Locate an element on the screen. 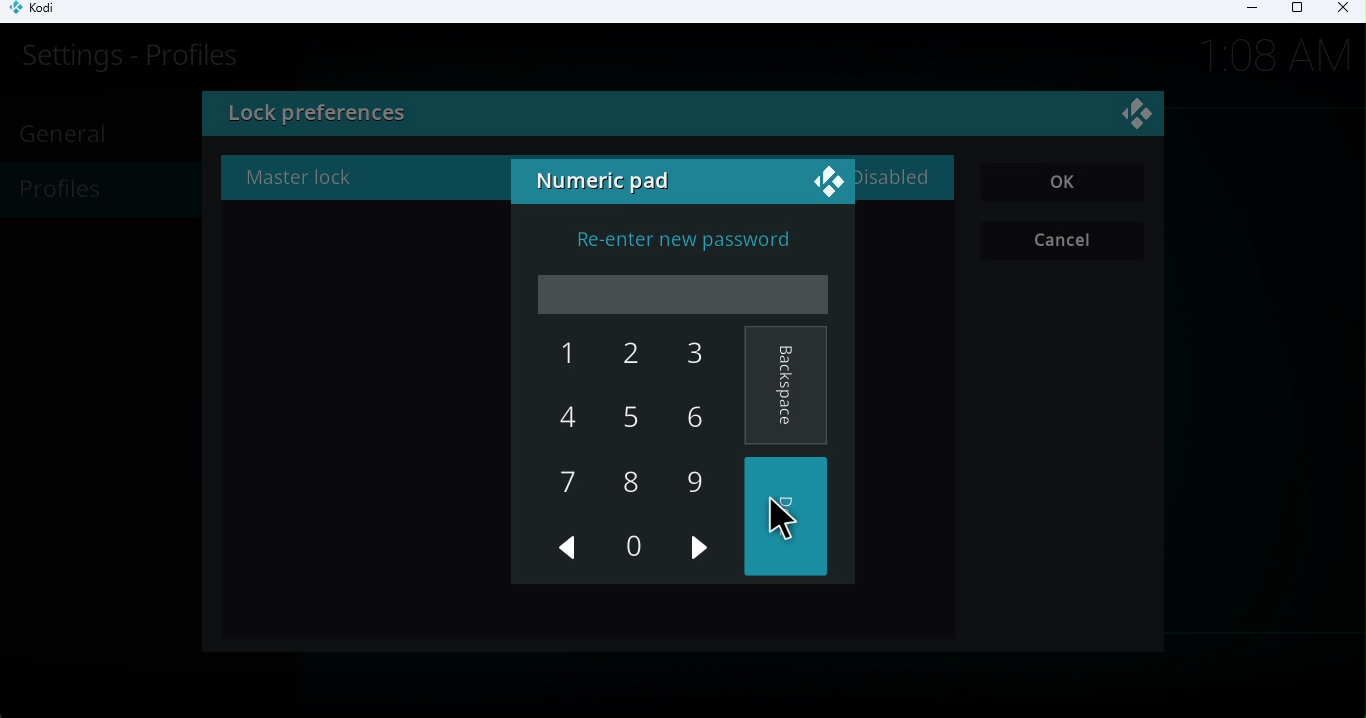 Image resolution: width=1366 pixels, height=718 pixels. Done is located at coordinates (789, 519).